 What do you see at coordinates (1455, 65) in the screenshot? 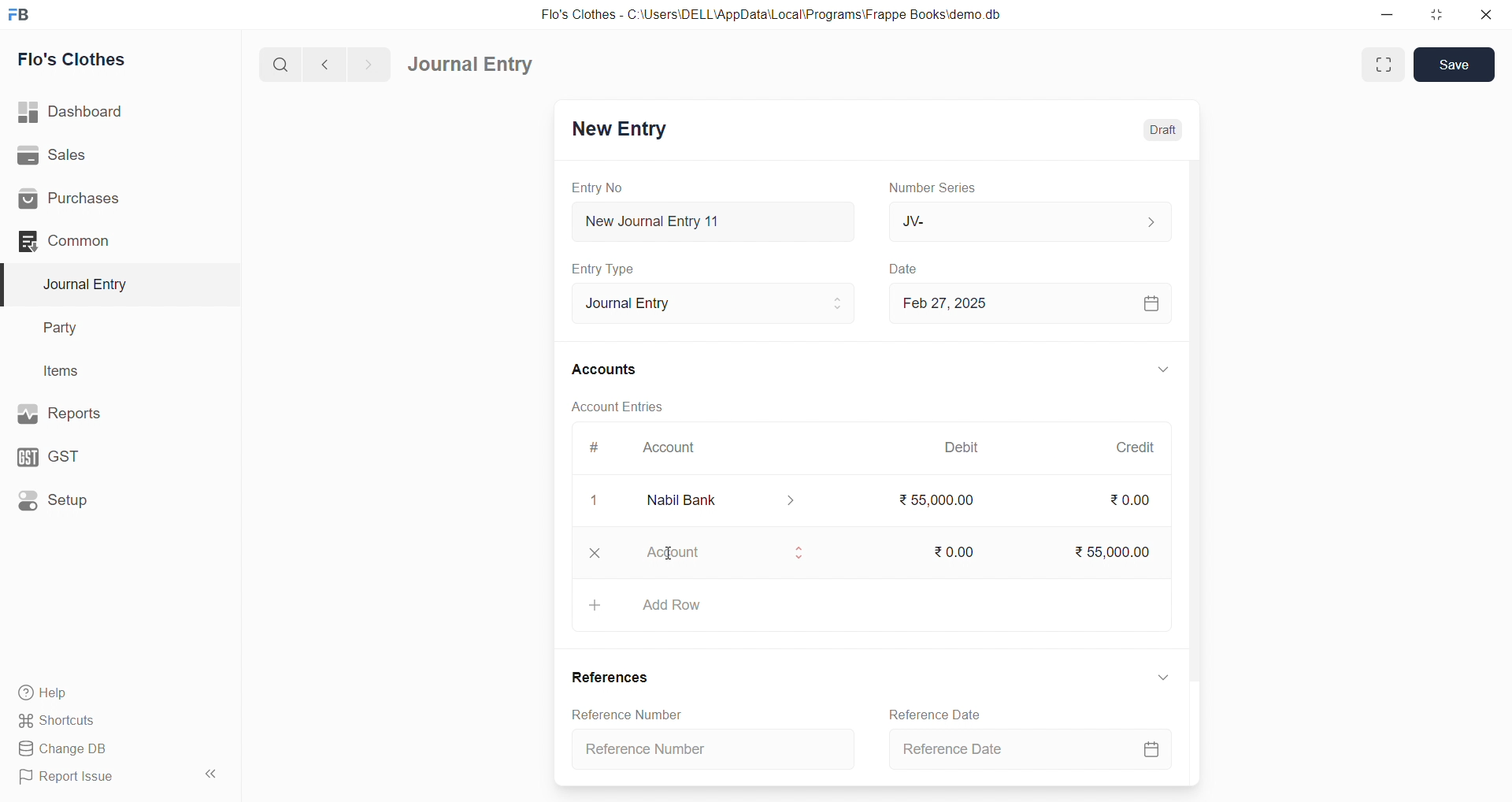
I see `Save` at bounding box center [1455, 65].